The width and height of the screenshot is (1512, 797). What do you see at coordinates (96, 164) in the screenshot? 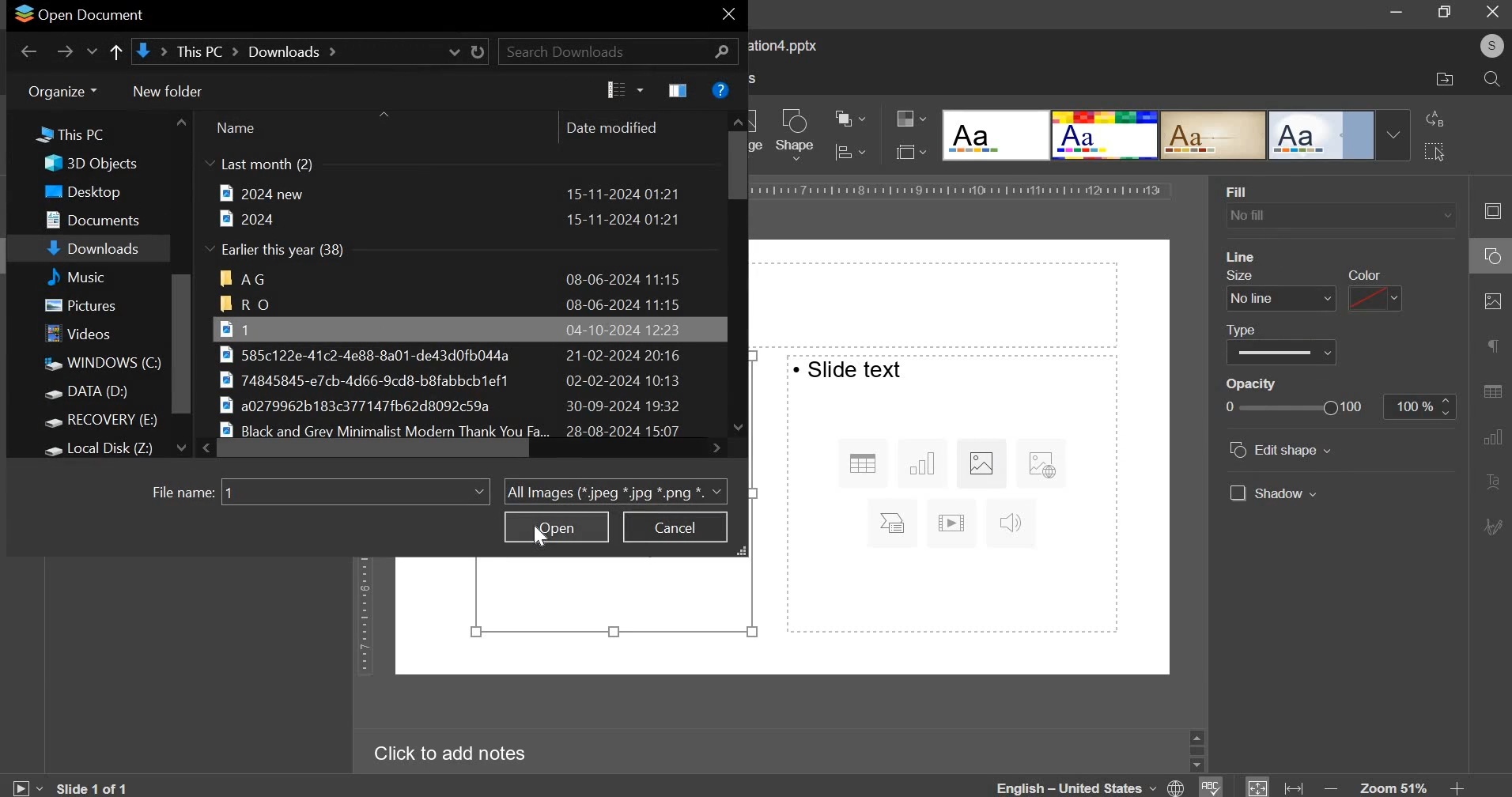
I see `3d objects` at bounding box center [96, 164].